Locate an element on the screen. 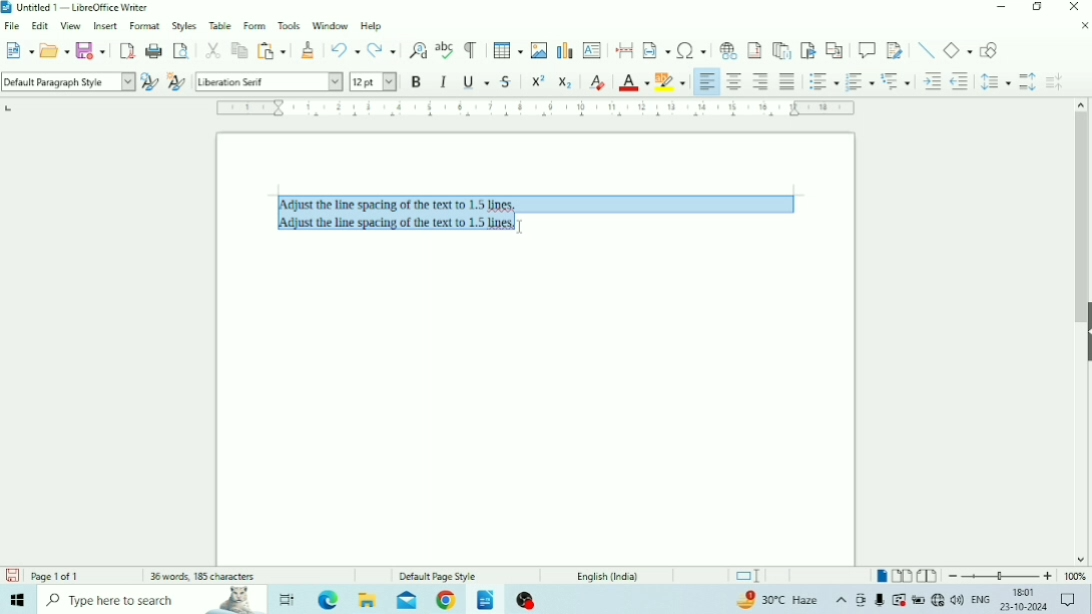 The image size is (1092, 614). OBS Studio is located at coordinates (527, 600).